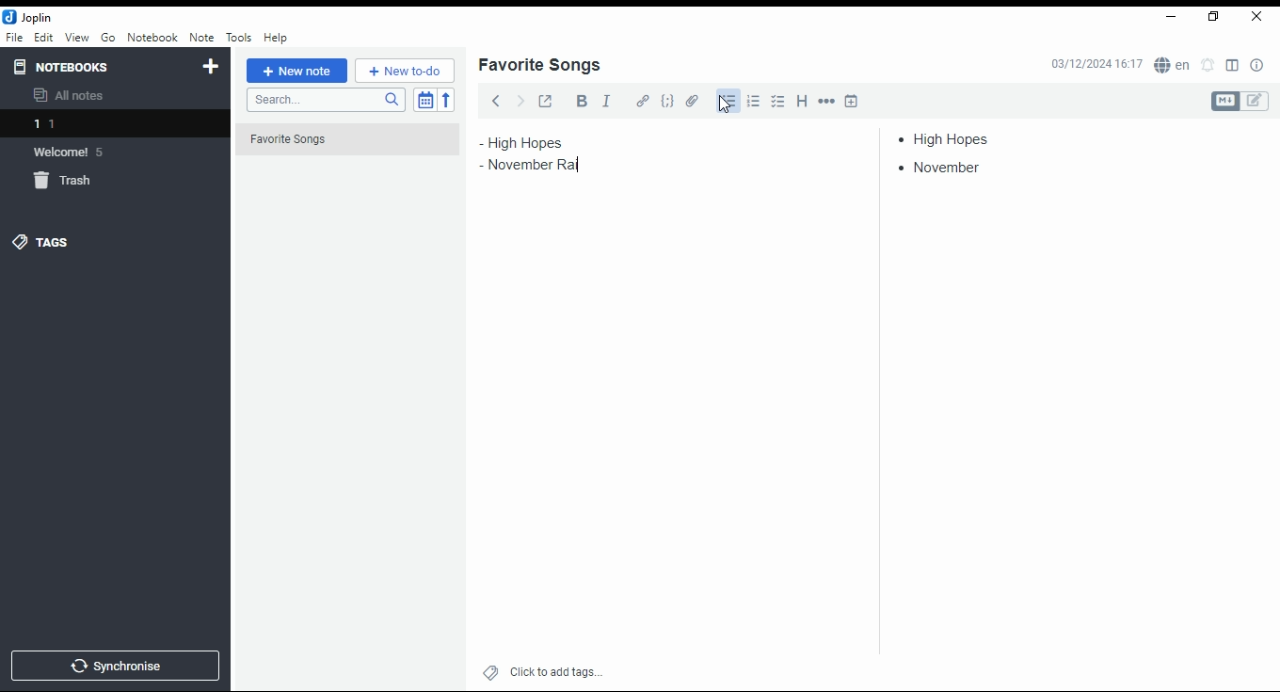 The image size is (1280, 692). I want to click on new note, so click(297, 71).